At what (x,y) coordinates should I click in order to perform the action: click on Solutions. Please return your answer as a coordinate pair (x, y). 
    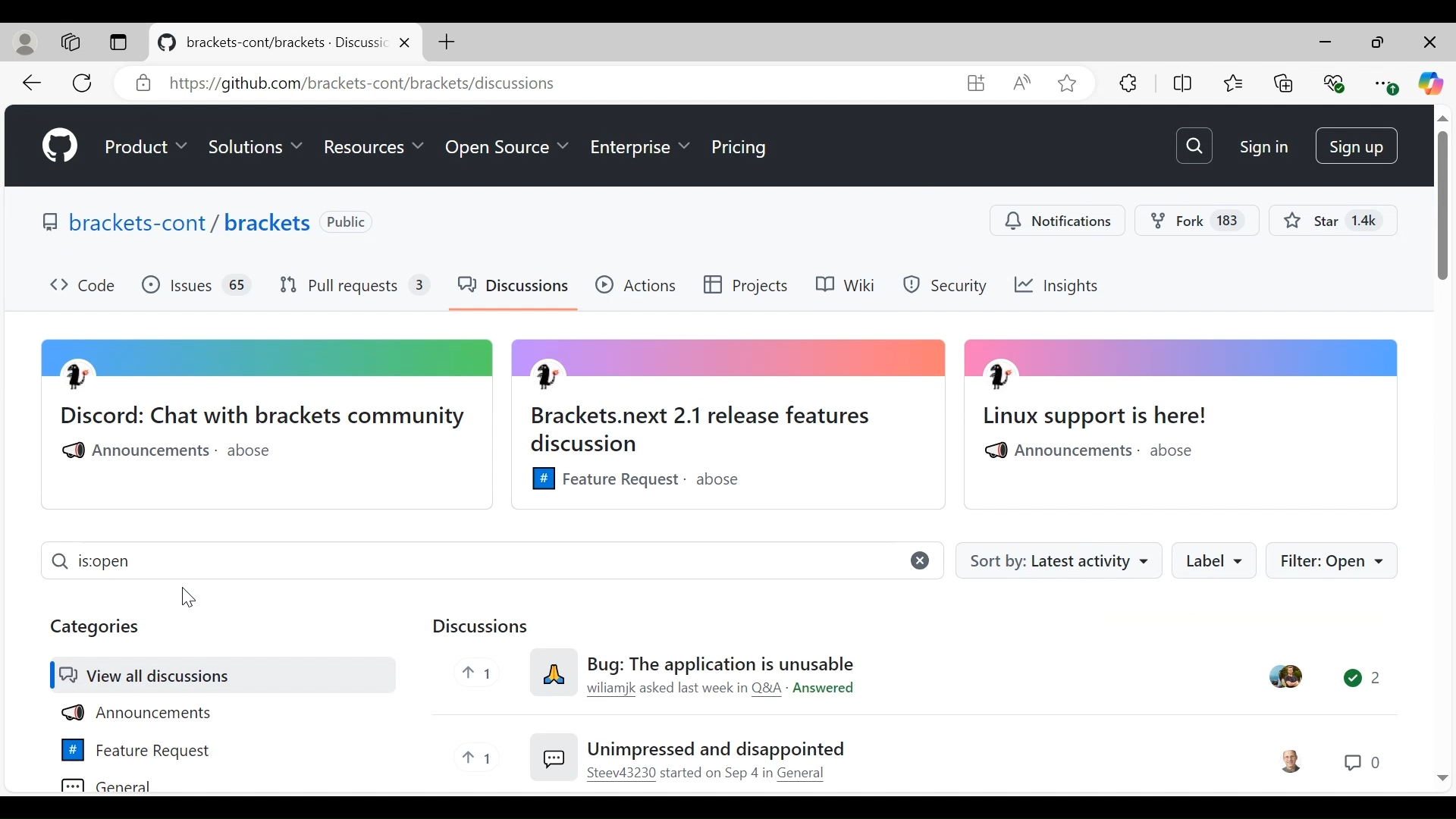
    Looking at the image, I should click on (256, 148).